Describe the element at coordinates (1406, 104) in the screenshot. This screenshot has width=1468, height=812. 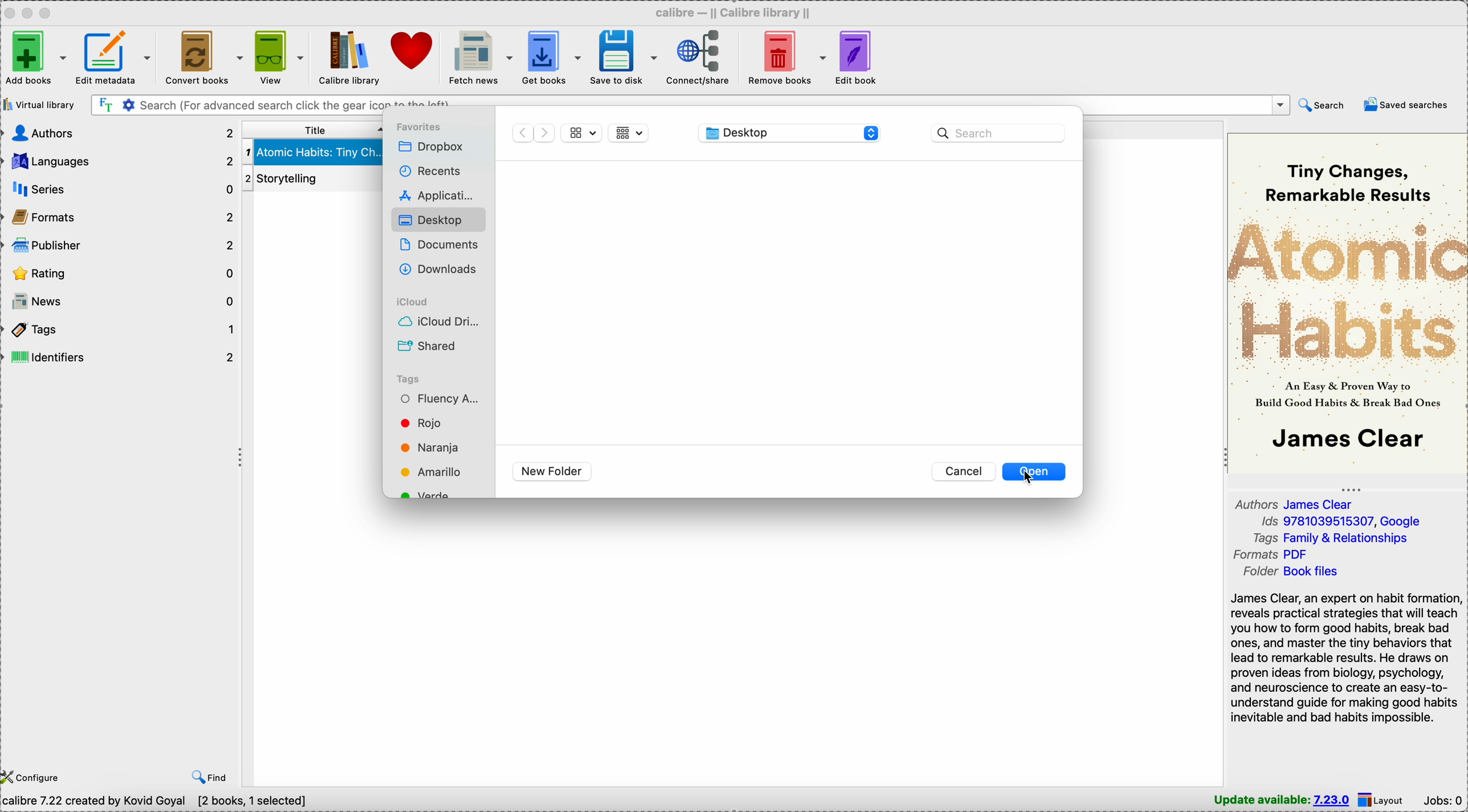
I see `saved searches` at that location.